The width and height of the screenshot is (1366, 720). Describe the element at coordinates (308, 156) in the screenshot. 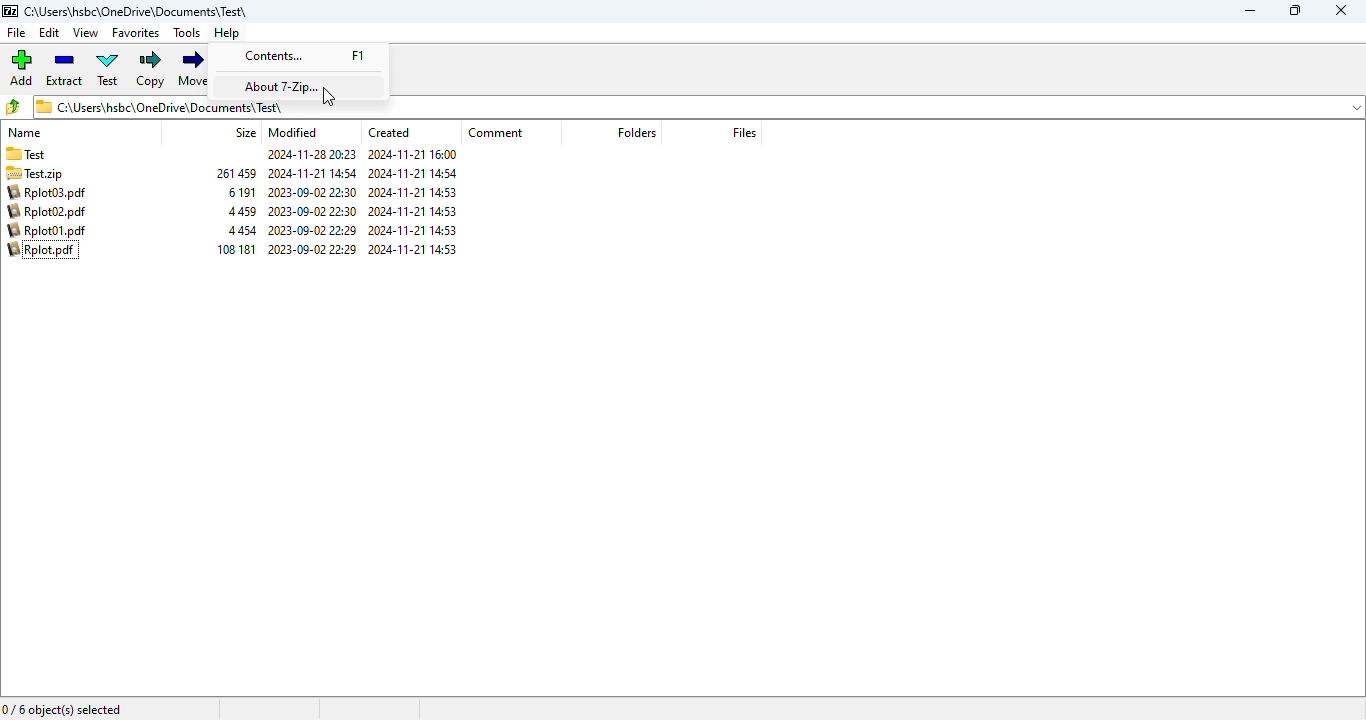

I see `2024-11-28 20:23` at that location.